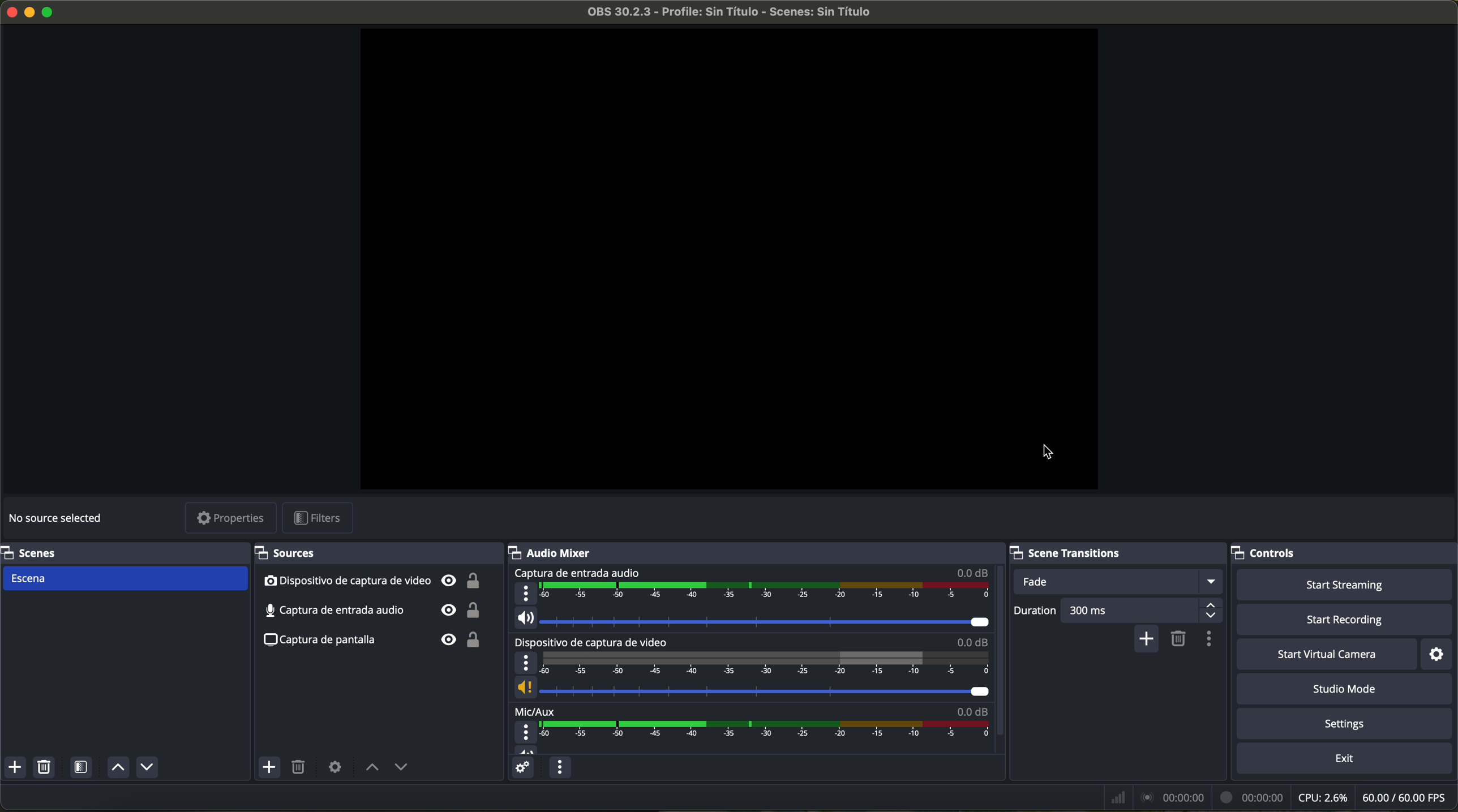 The height and width of the screenshot is (812, 1458). What do you see at coordinates (83, 769) in the screenshot?
I see `open scene filters` at bounding box center [83, 769].